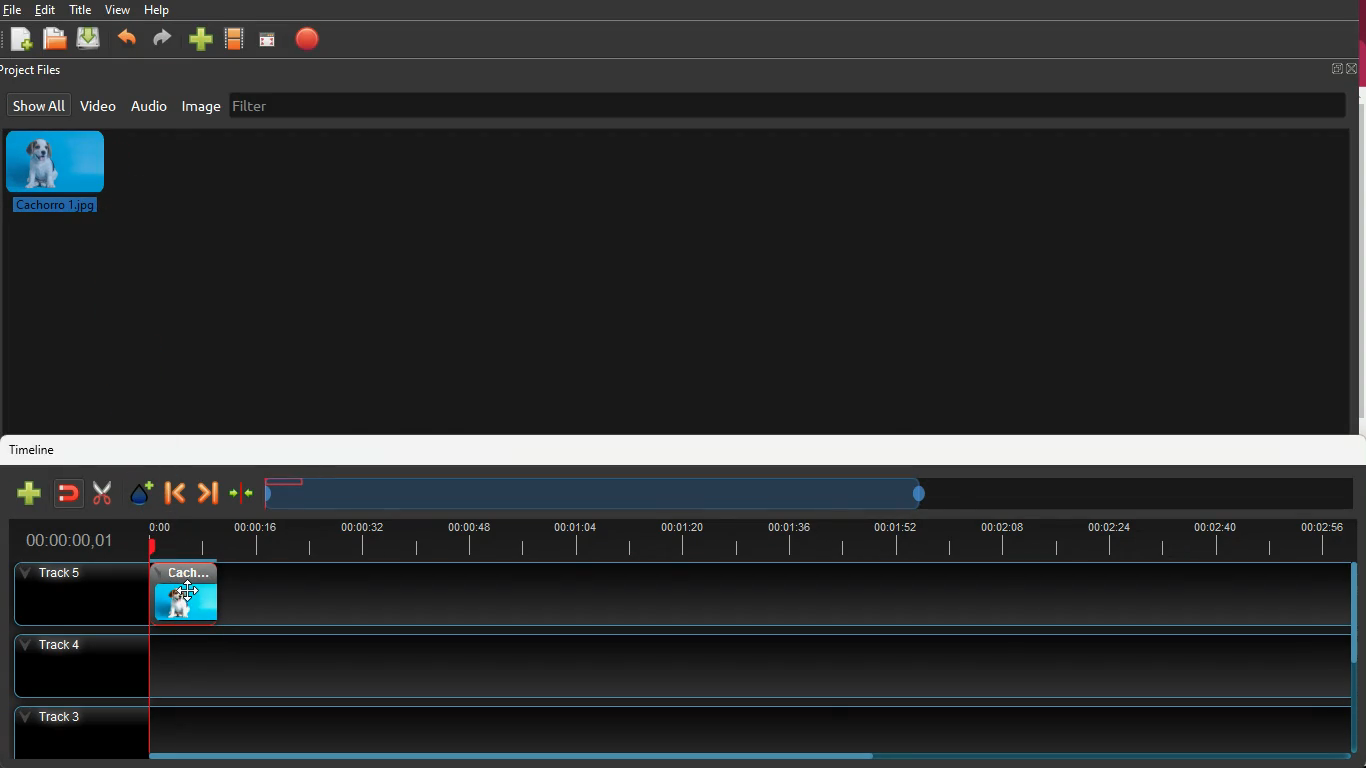  I want to click on join, so click(242, 493).